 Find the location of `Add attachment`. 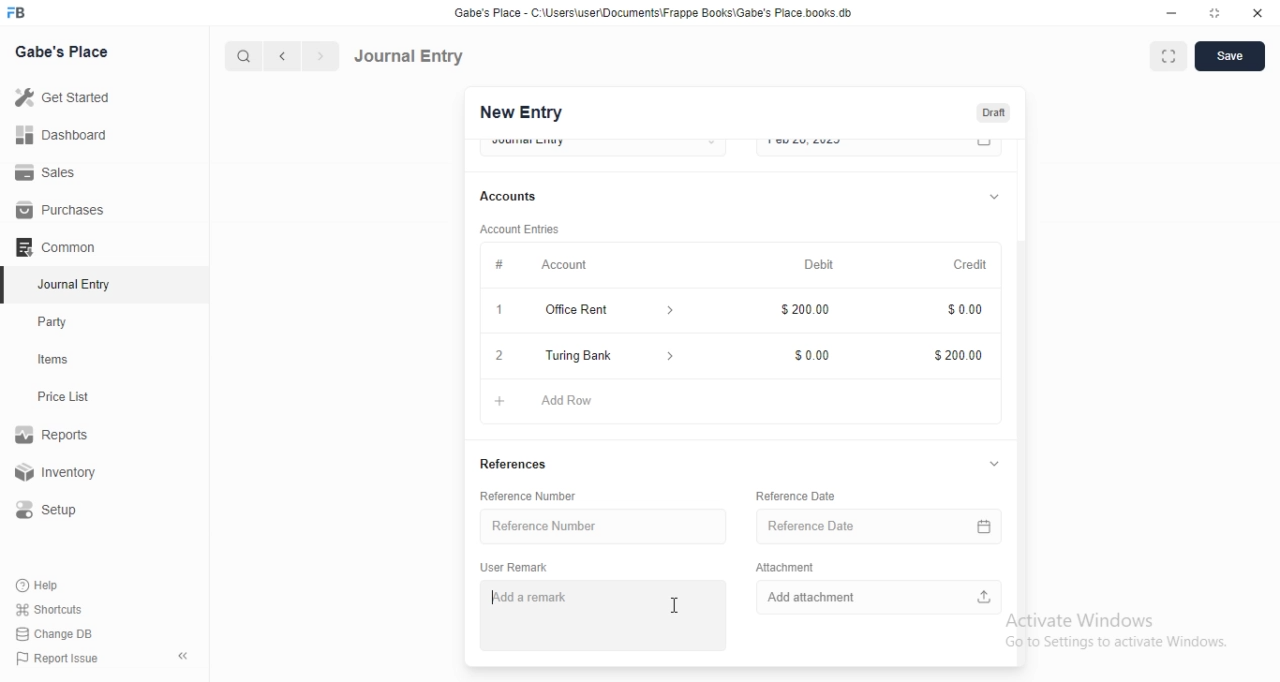

Add attachment is located at coordinates (882, 599).